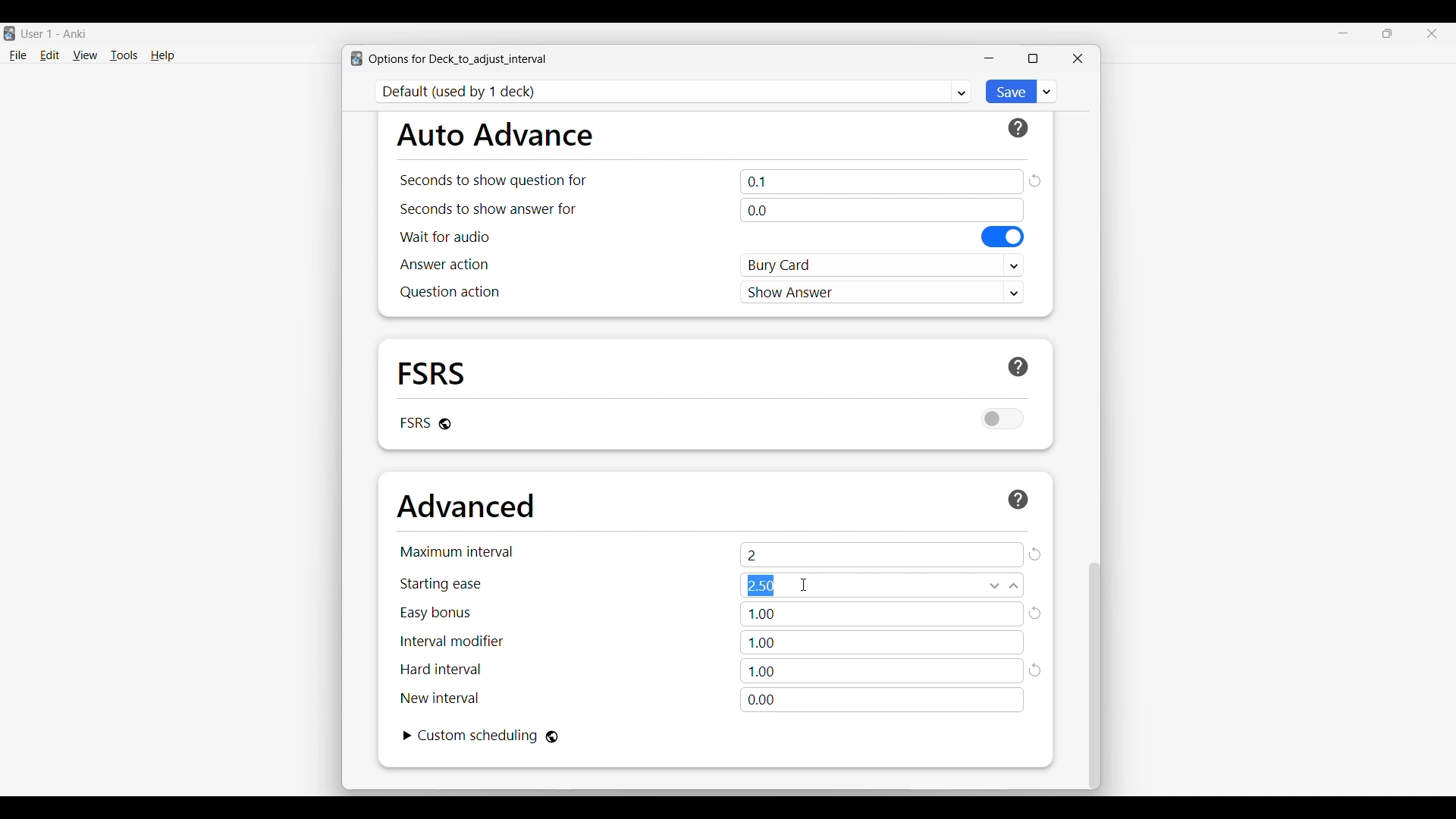  I want to click on File menu, so click(17, 56).